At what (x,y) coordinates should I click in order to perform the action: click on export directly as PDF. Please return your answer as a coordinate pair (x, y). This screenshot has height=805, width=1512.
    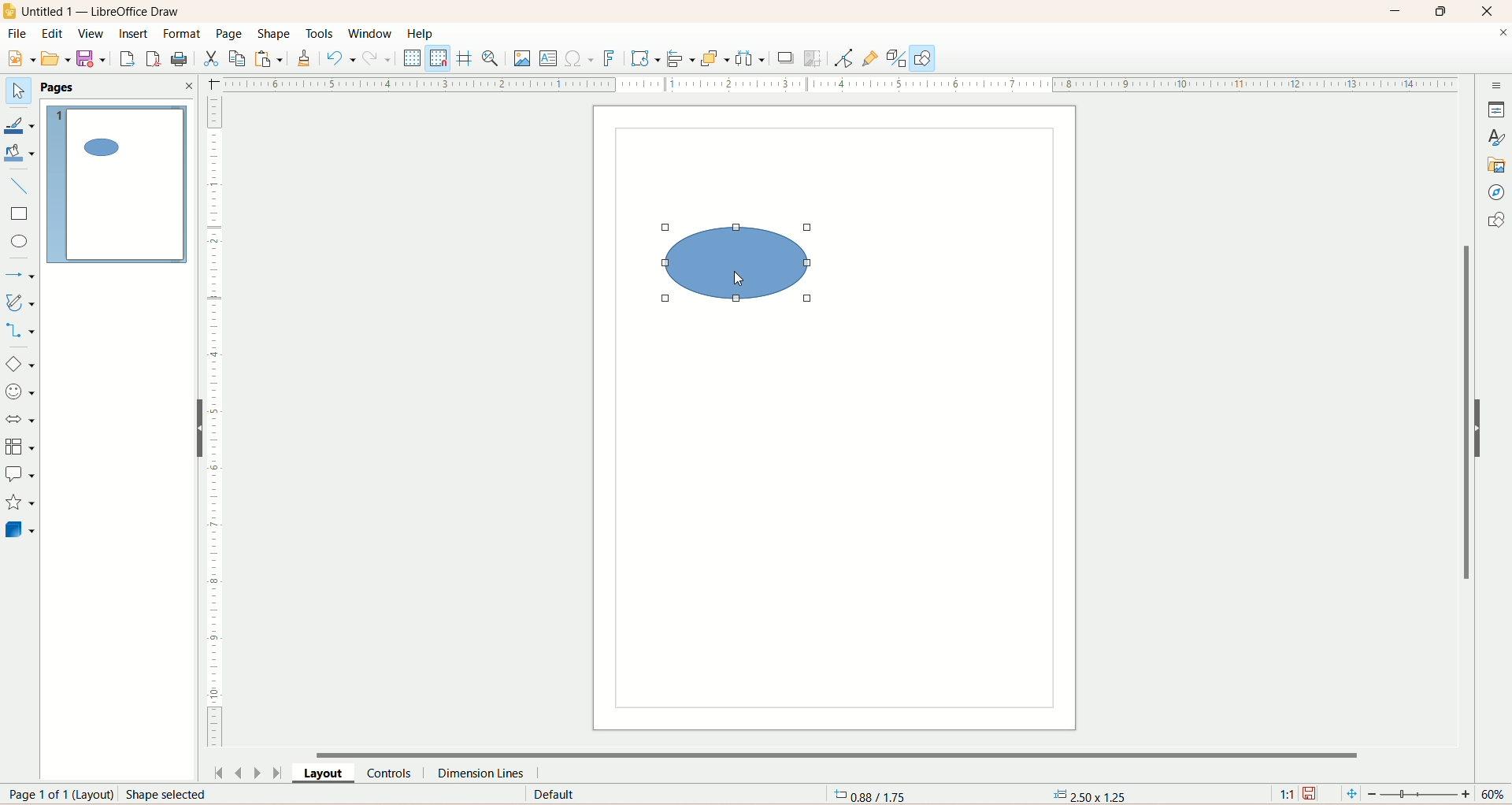
    Looking at the image, I should click on (154, 58).